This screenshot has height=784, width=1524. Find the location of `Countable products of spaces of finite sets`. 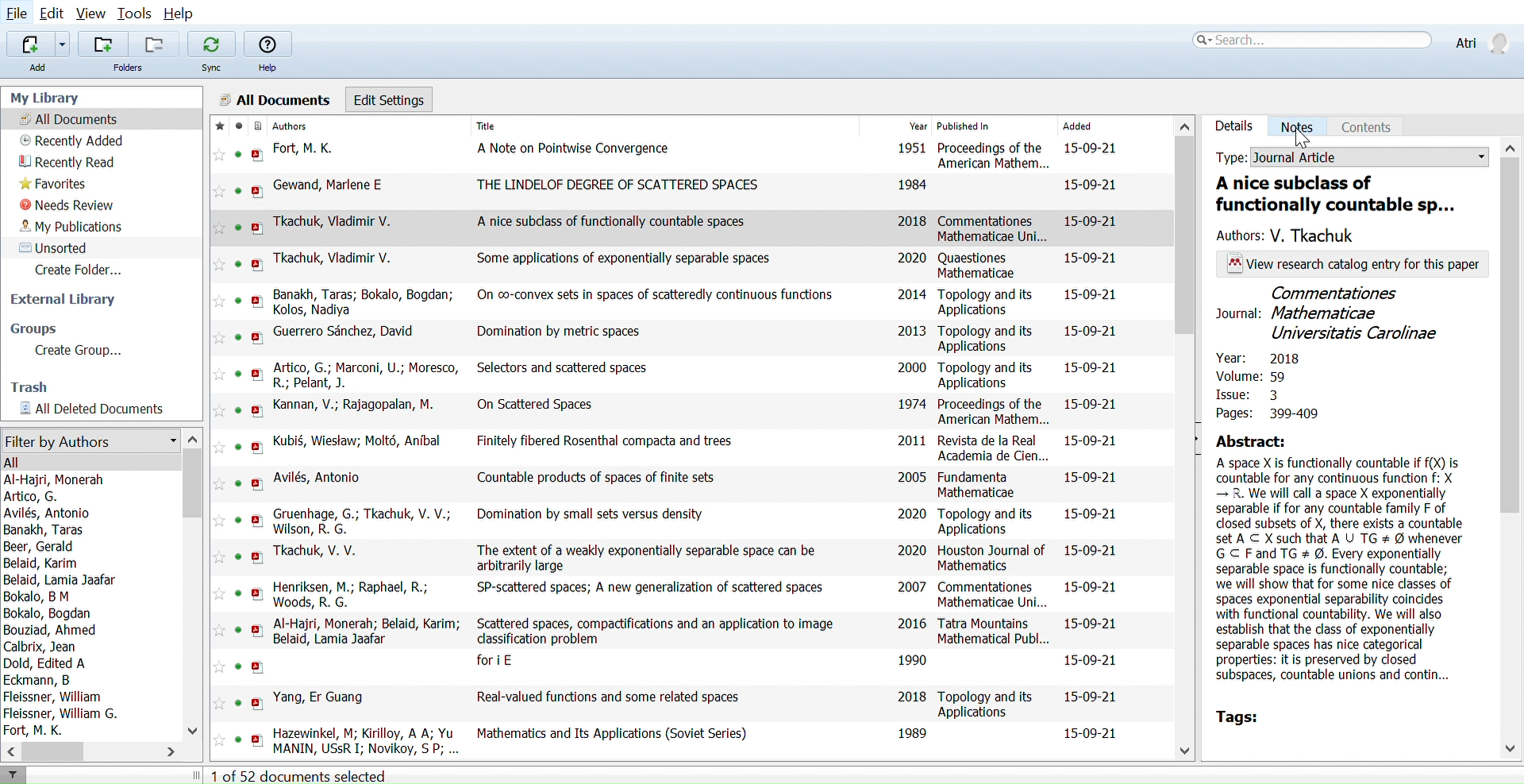

Countable products of spaces of finite sets is located at coordinates (597, 478).